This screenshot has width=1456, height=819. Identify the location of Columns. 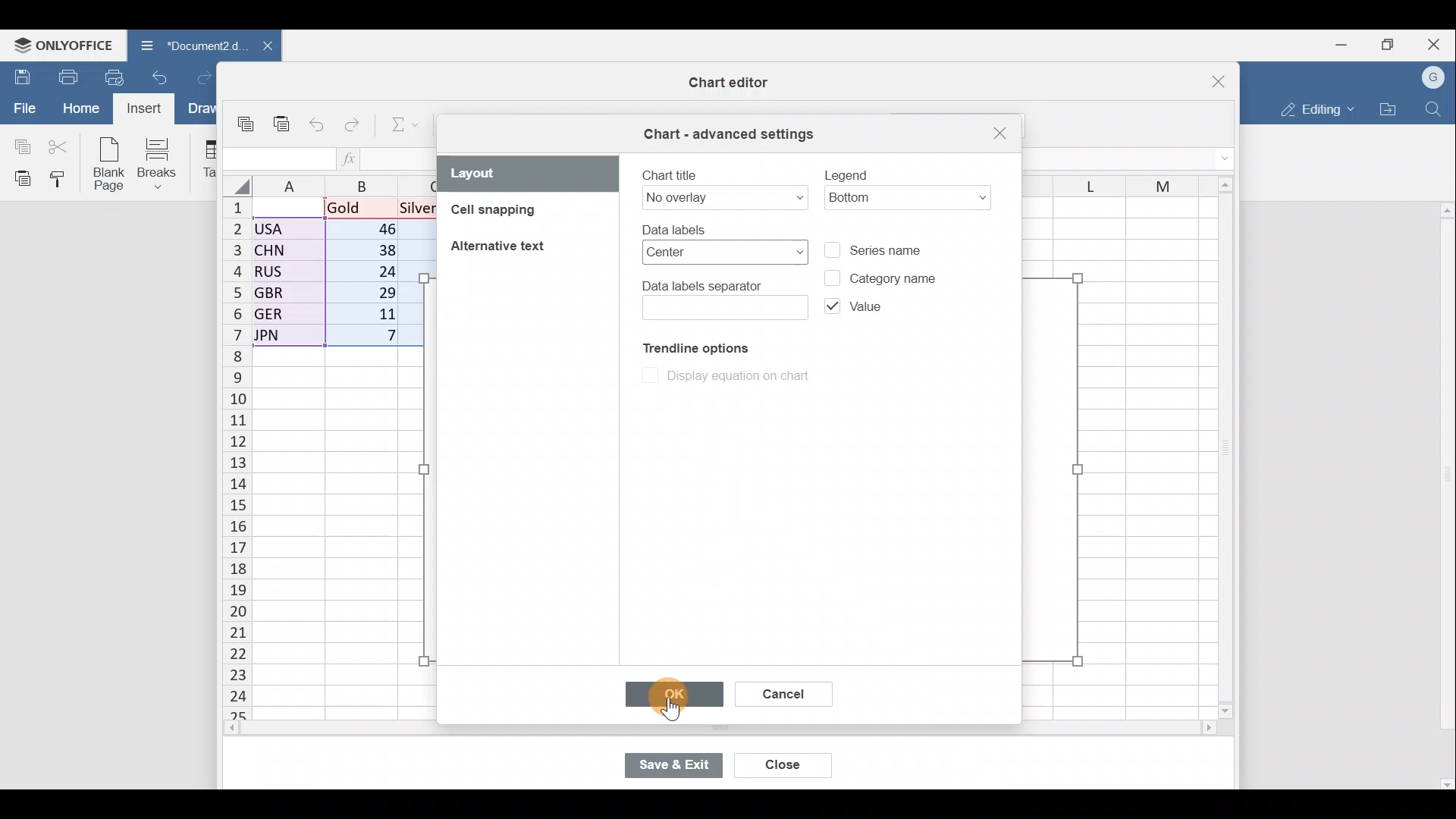
(1109, 182).